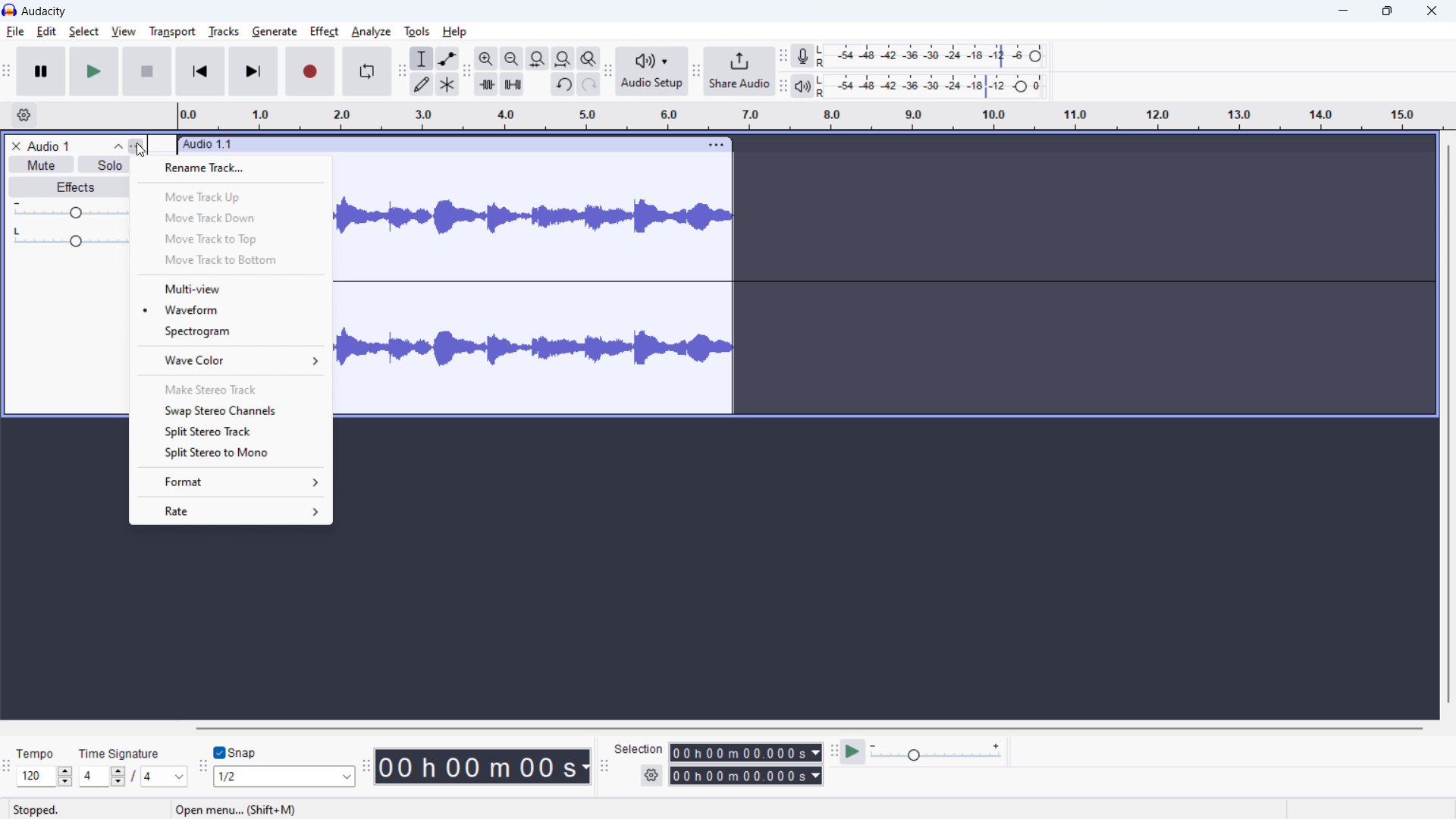  Describe the element at coordinates (438, 144) in the screenshot. I see `click to move` at that location.